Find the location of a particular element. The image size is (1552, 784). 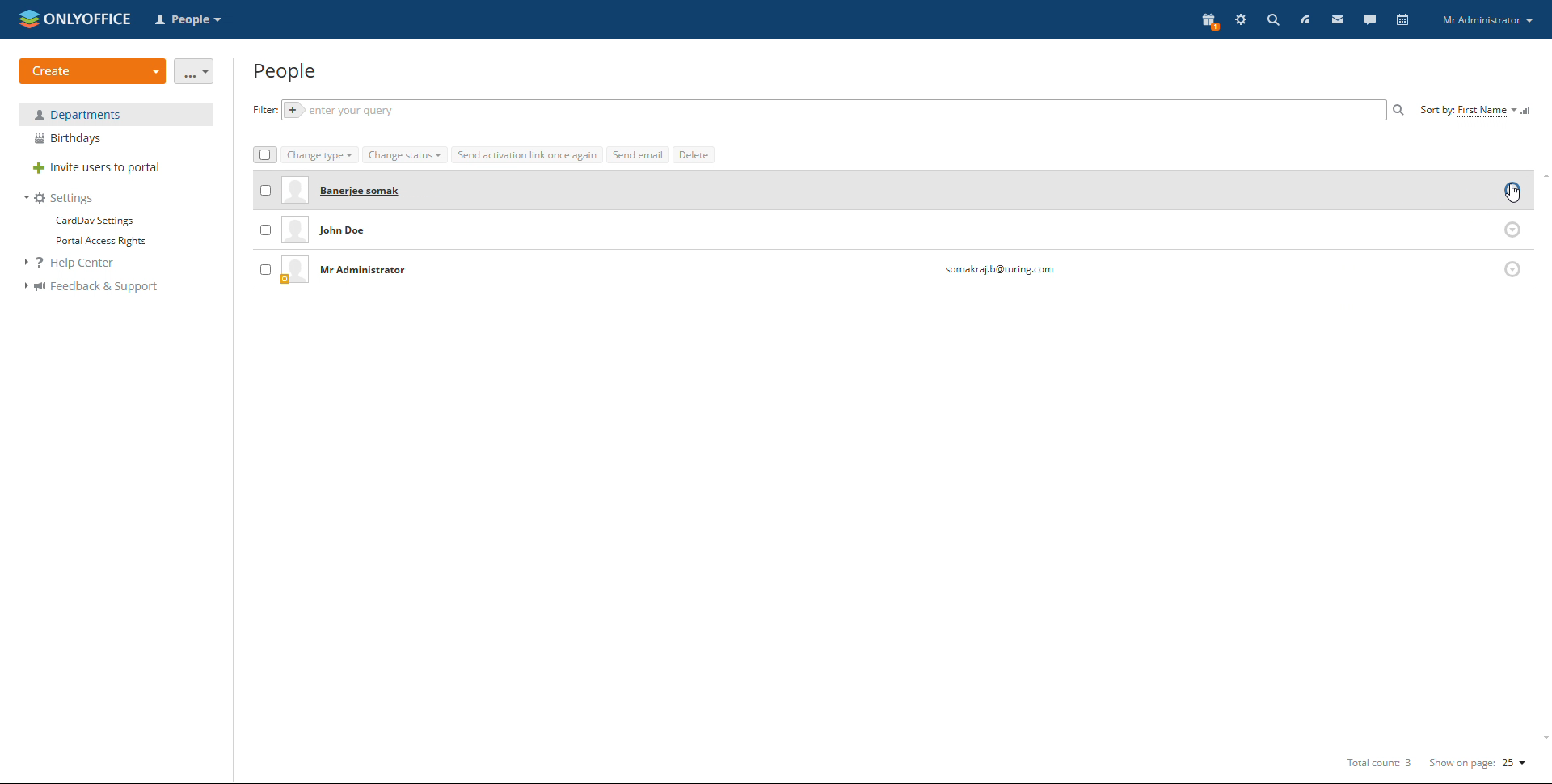

search is located at coordinates (1273, 19).